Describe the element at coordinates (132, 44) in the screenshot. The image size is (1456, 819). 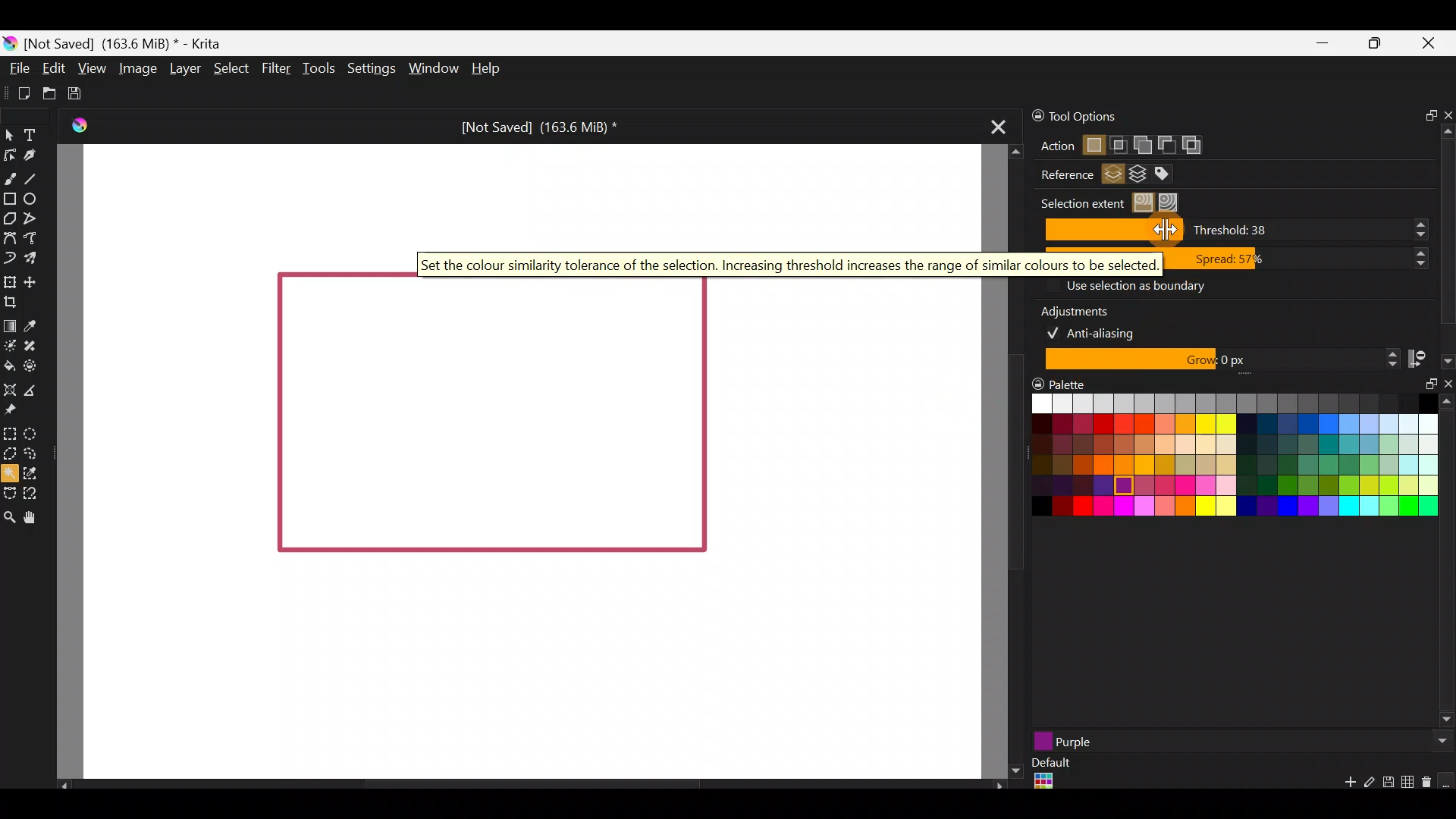
I see `[Not Saved] (163.6 MiB) * - Krita` at that location.